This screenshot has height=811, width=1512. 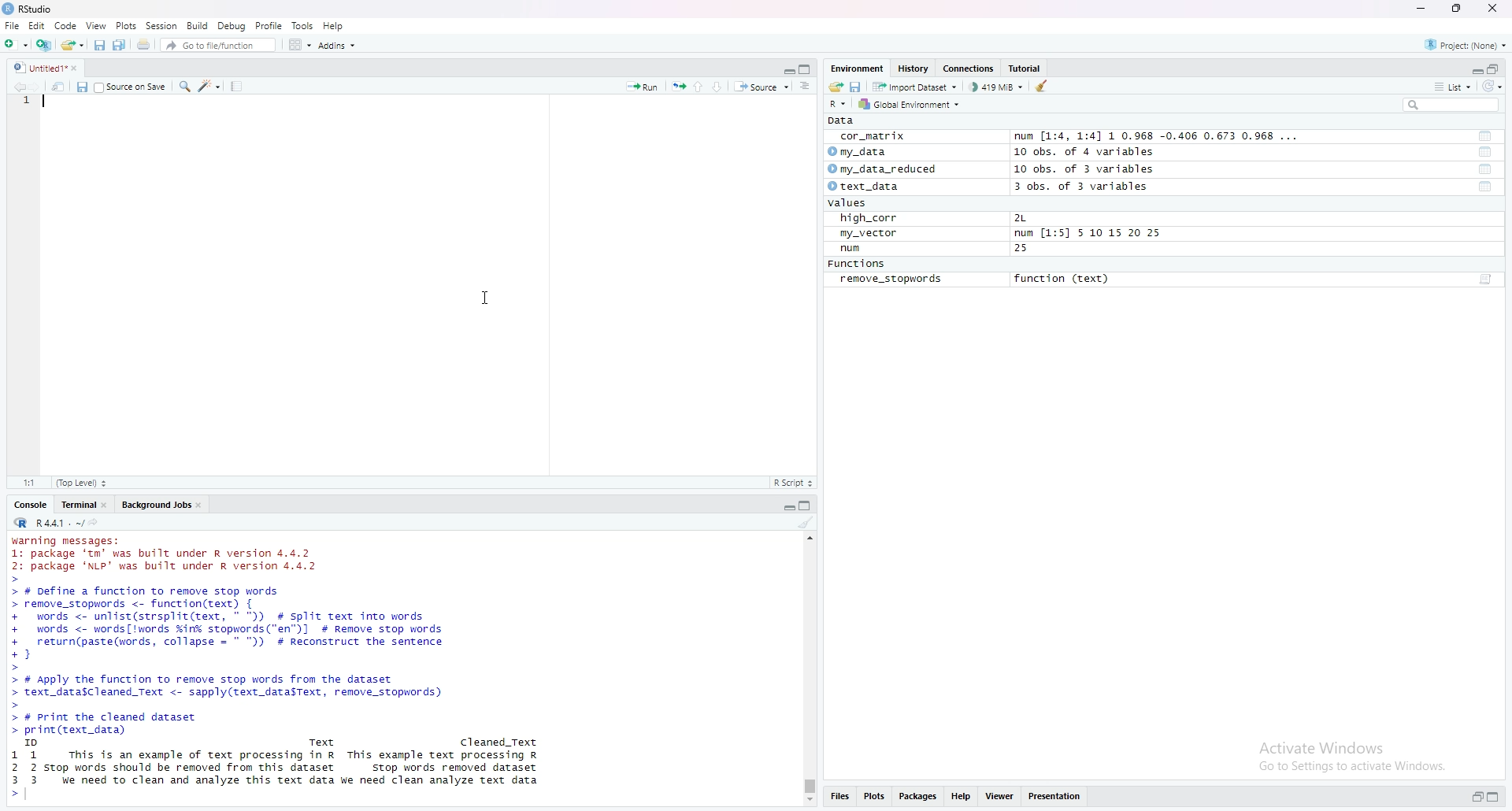 I want to click on Minimize, so click(x=1470, y=69).